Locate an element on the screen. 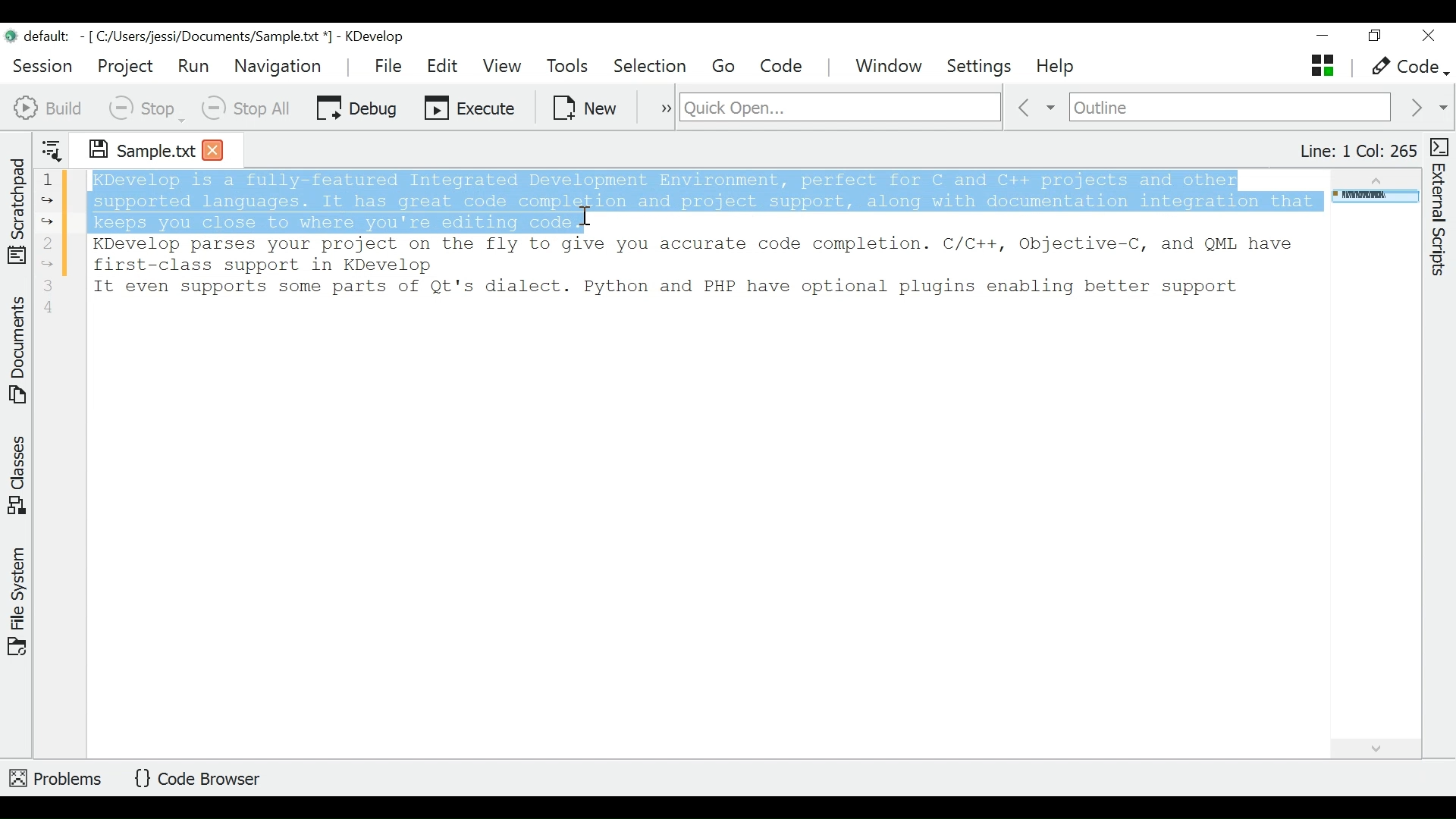 The width and height of the screenshot is (1456, 819). View is located at coordinates (502, 66).